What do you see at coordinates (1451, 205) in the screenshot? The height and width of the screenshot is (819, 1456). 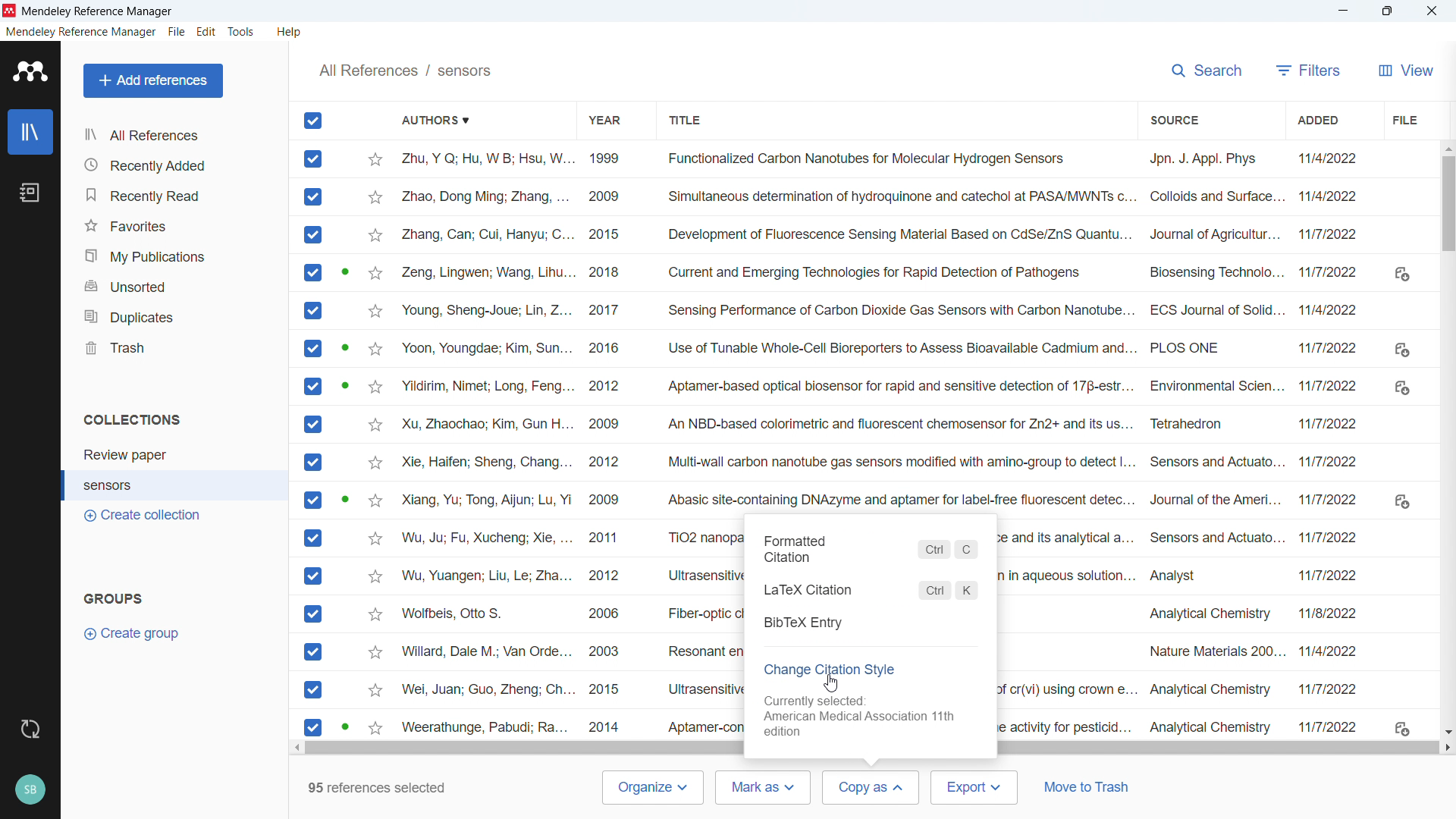 I see `Vertical scroll bar ` at bounding box center [1451, 205].